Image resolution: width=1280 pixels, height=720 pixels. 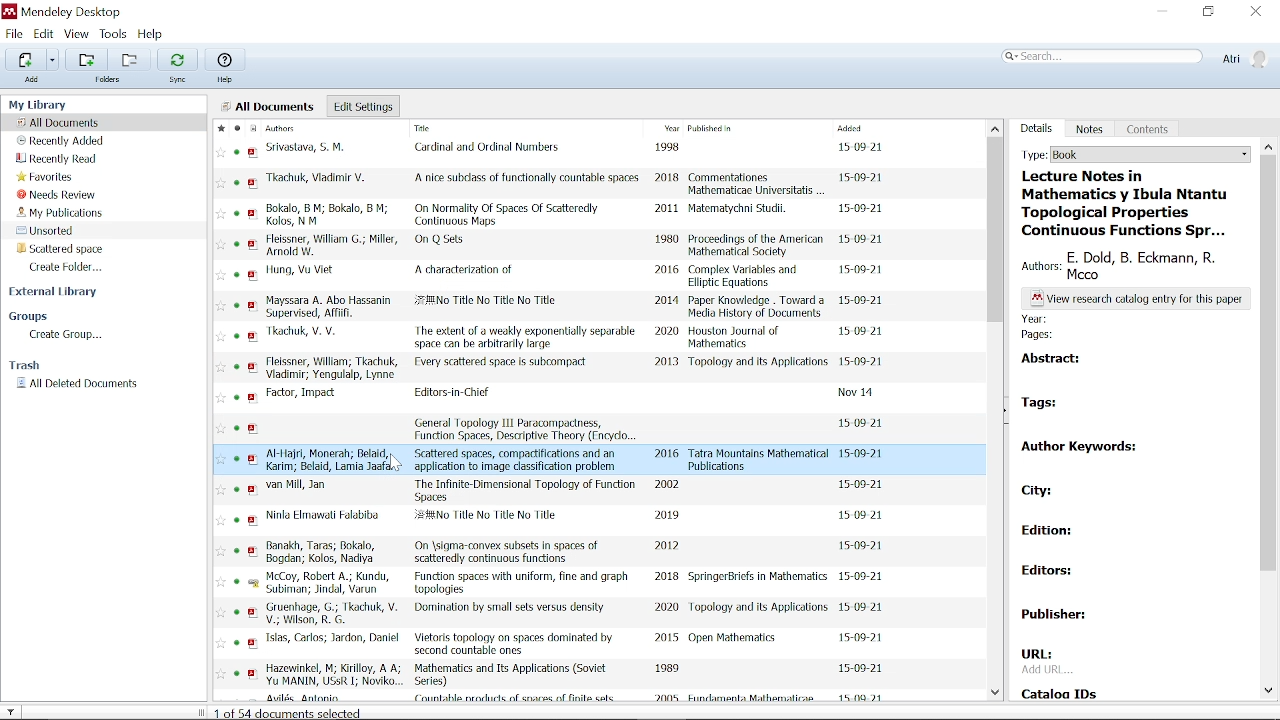 What do you see at coordinates (759, 607) in the screenshot?
I see `Topology and its Applications` at bounding box center [759, 607].